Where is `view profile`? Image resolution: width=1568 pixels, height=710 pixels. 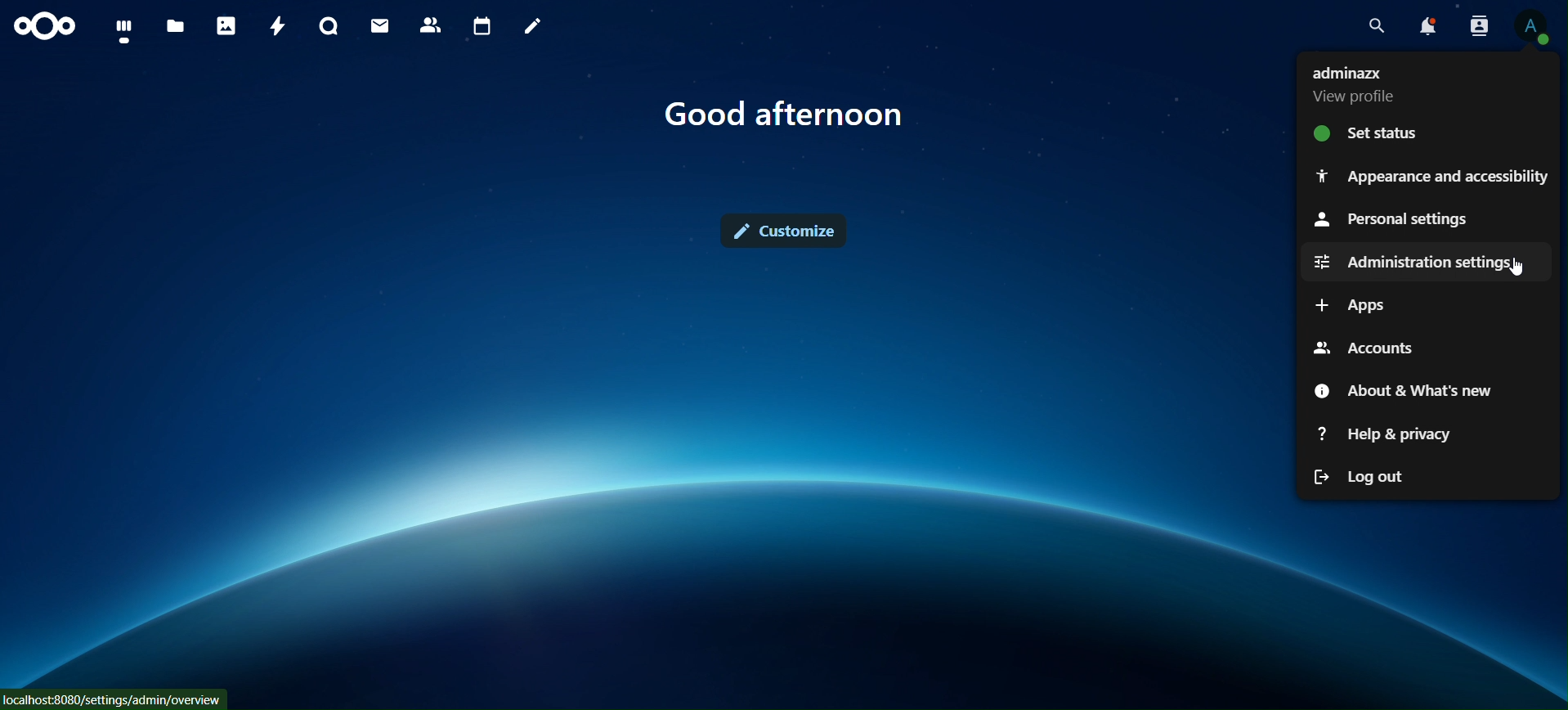 view profile is located at coordinates (1360, 86).